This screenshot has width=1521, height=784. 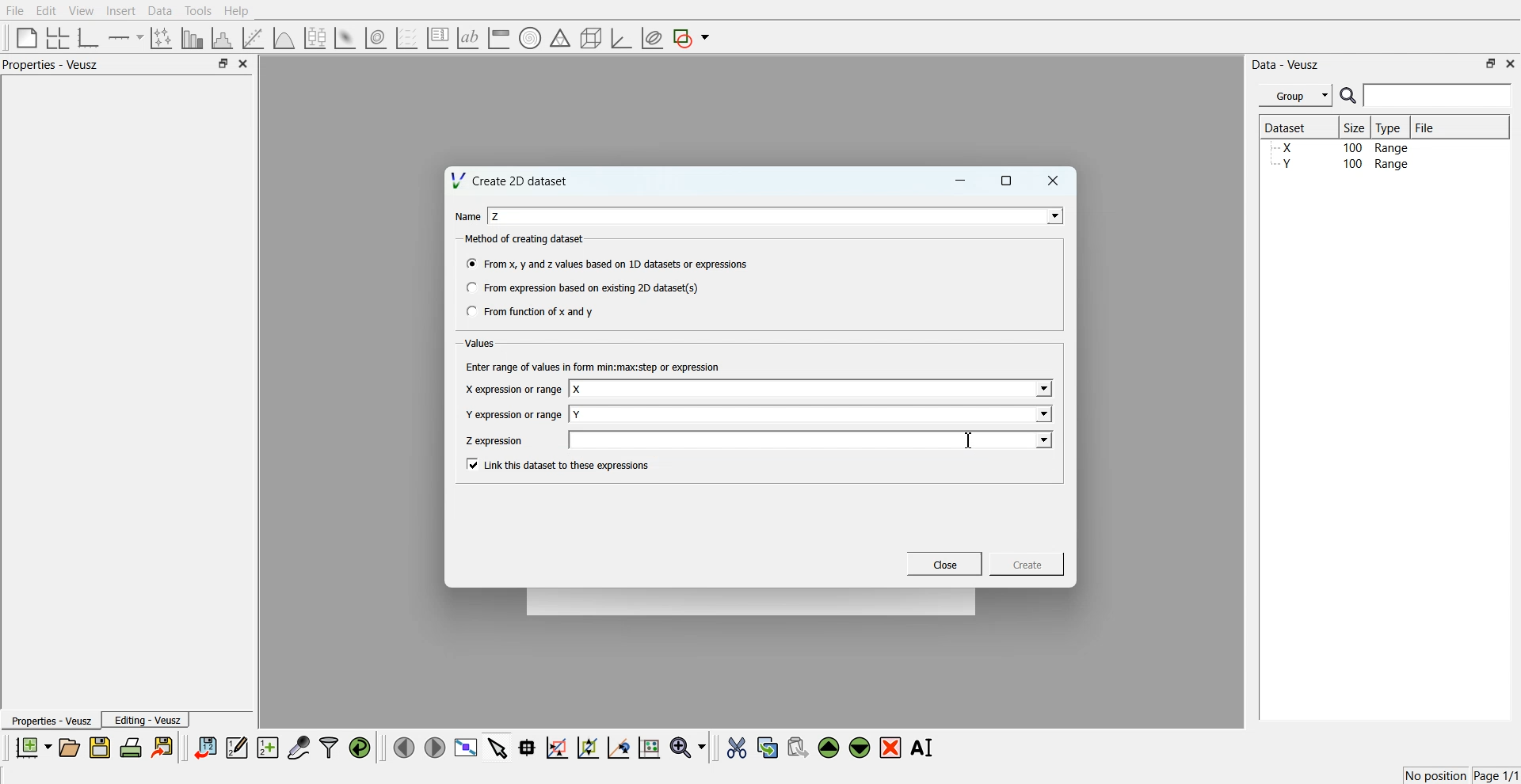 I want to click on Import dataset from veusz, so click(x=205, y=747).